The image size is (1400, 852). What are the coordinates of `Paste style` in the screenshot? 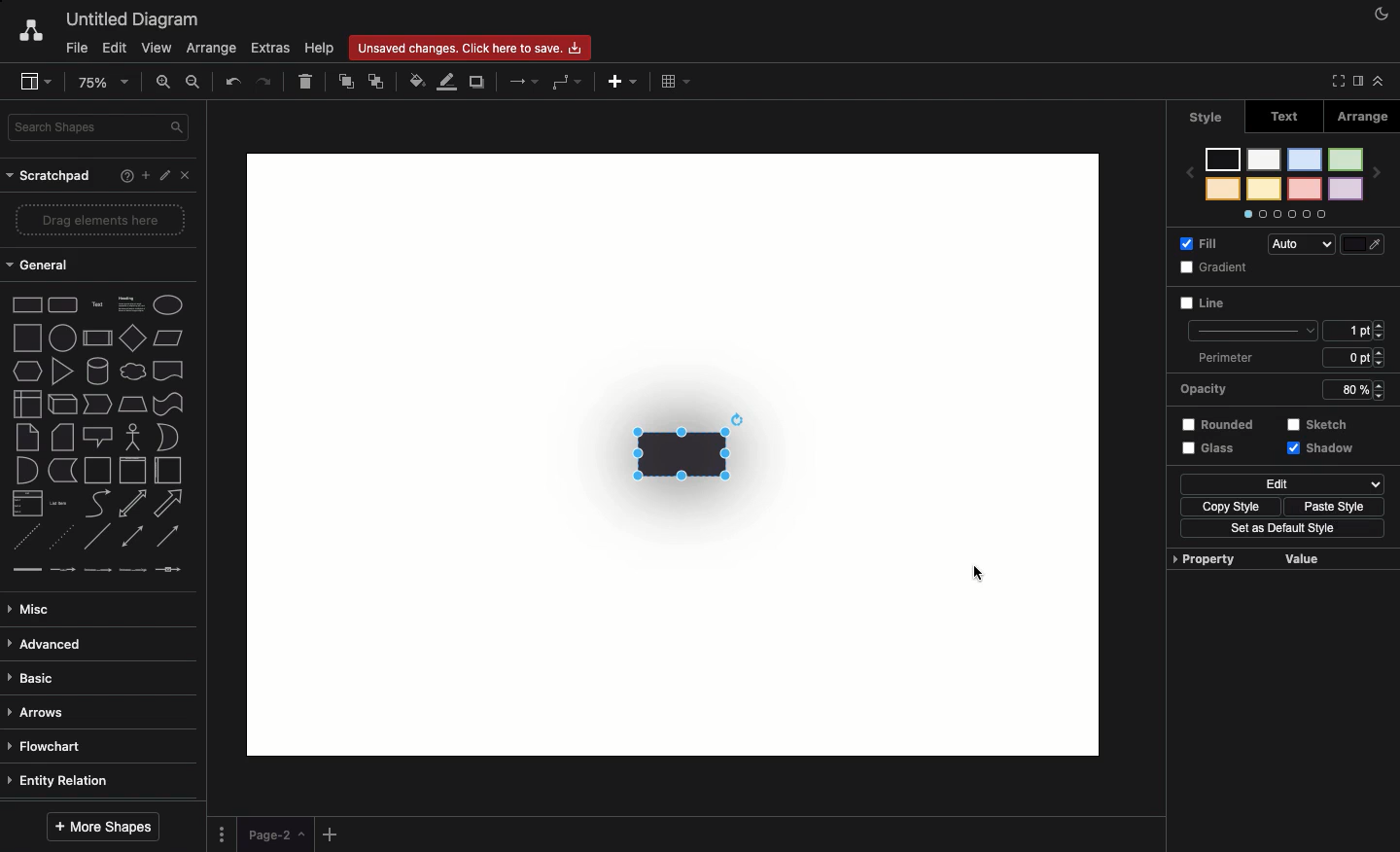 It's located at (1329, 505).